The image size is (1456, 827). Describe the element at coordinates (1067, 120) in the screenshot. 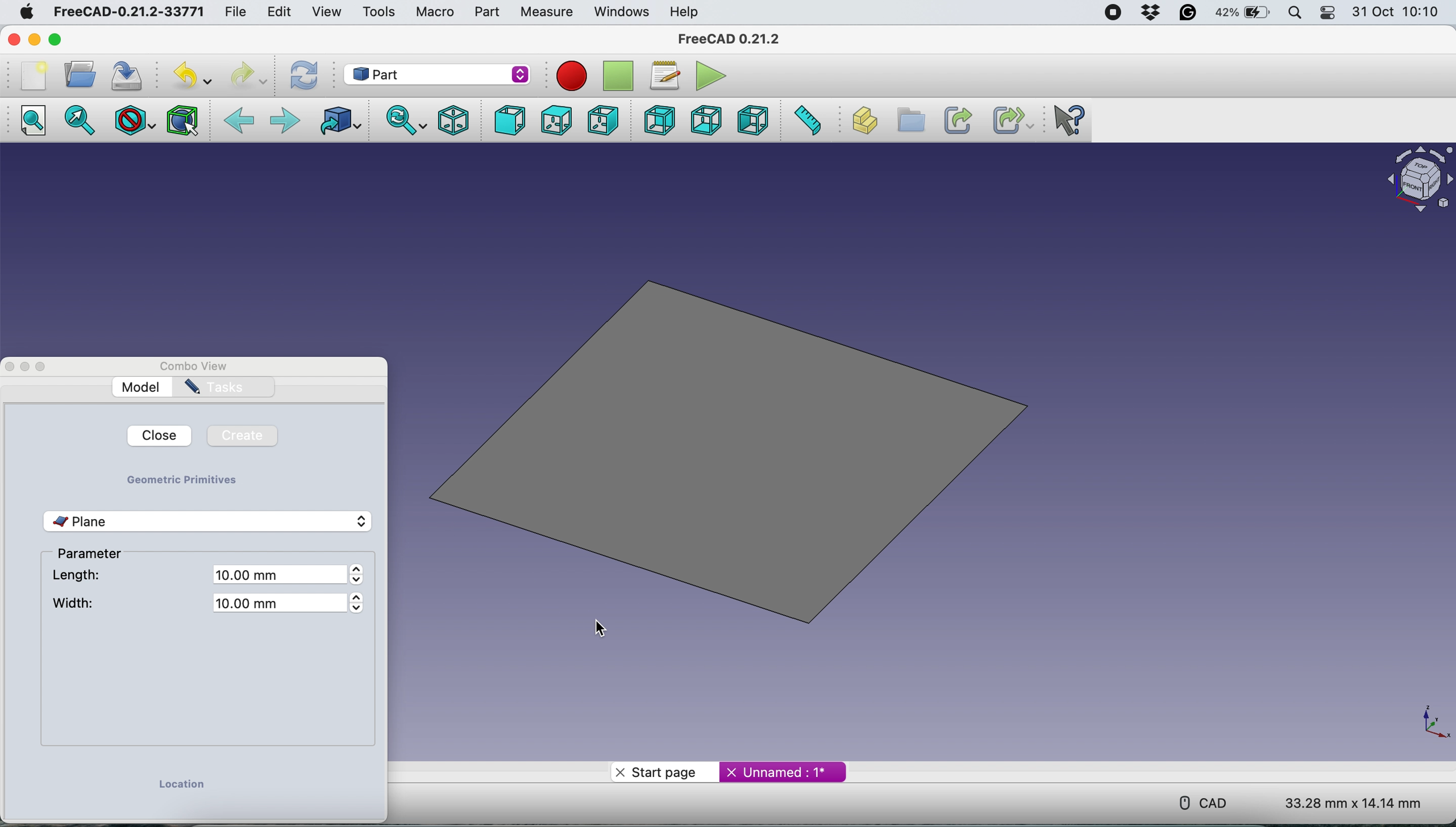

I see `What's this?` at that location.